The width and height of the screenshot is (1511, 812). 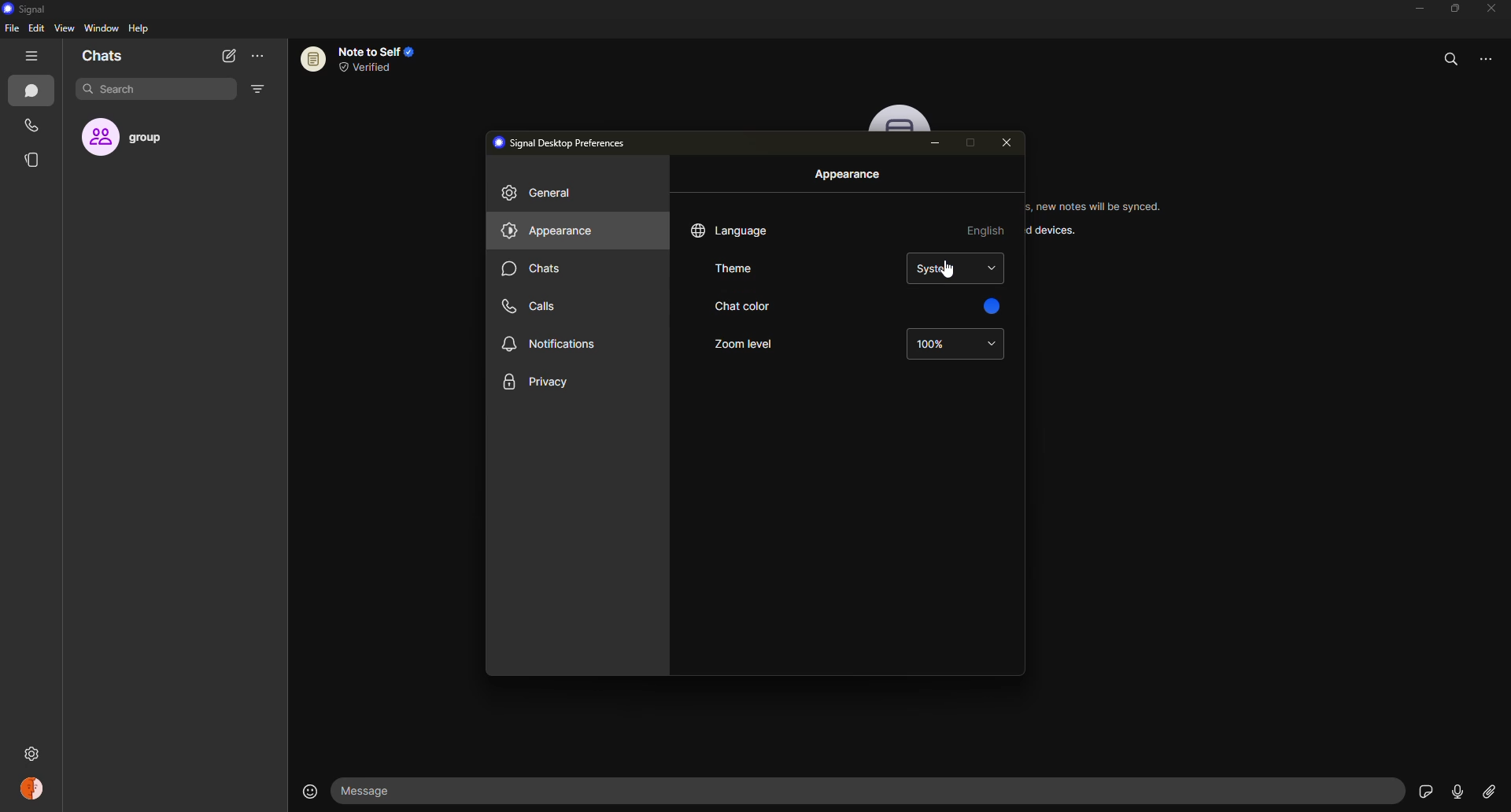 What do you see at coordinates (732, 230) in the screenshot?
I see `language` at bounding box center [732, 230].